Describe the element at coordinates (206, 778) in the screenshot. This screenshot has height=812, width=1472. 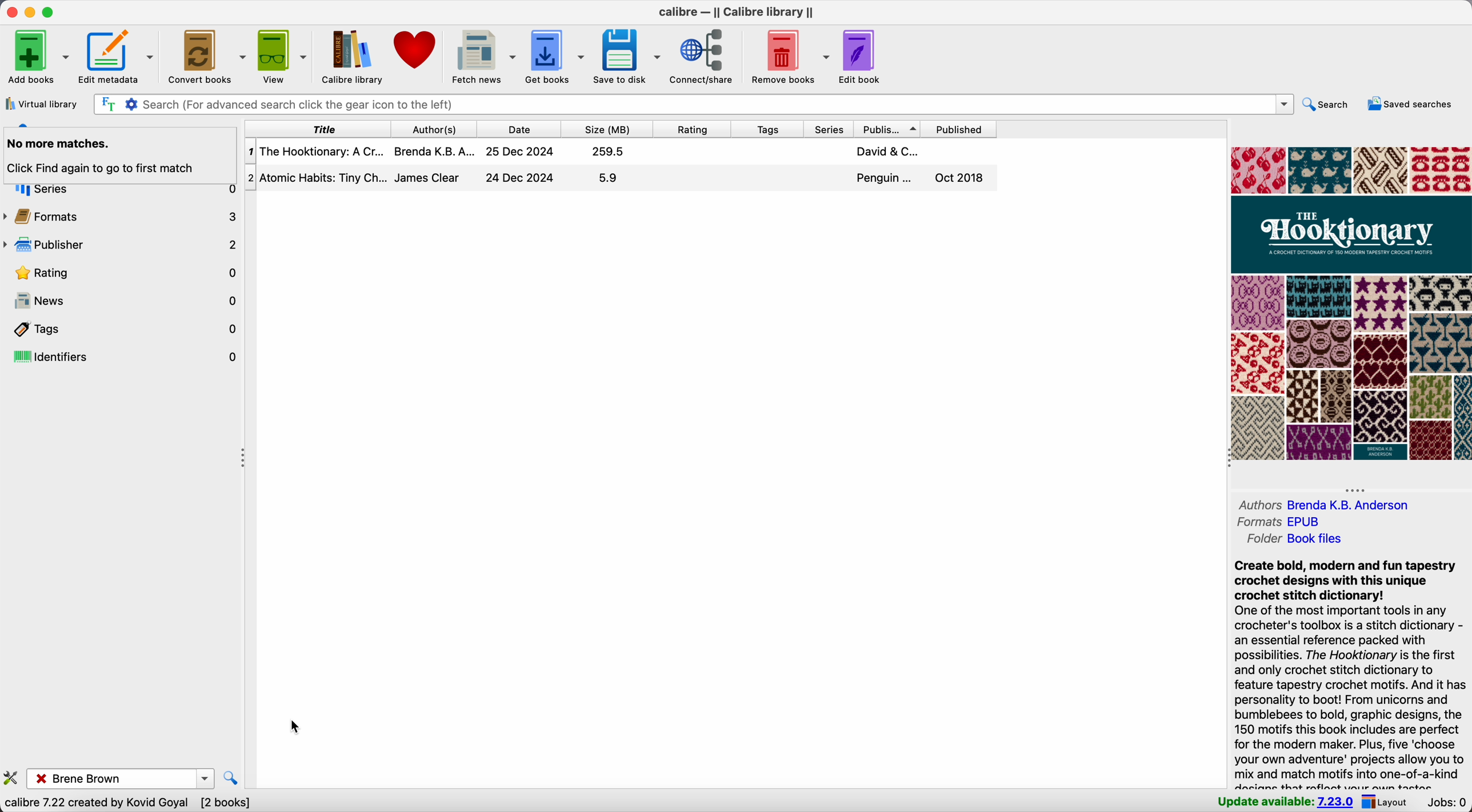
I see `options` at that location.